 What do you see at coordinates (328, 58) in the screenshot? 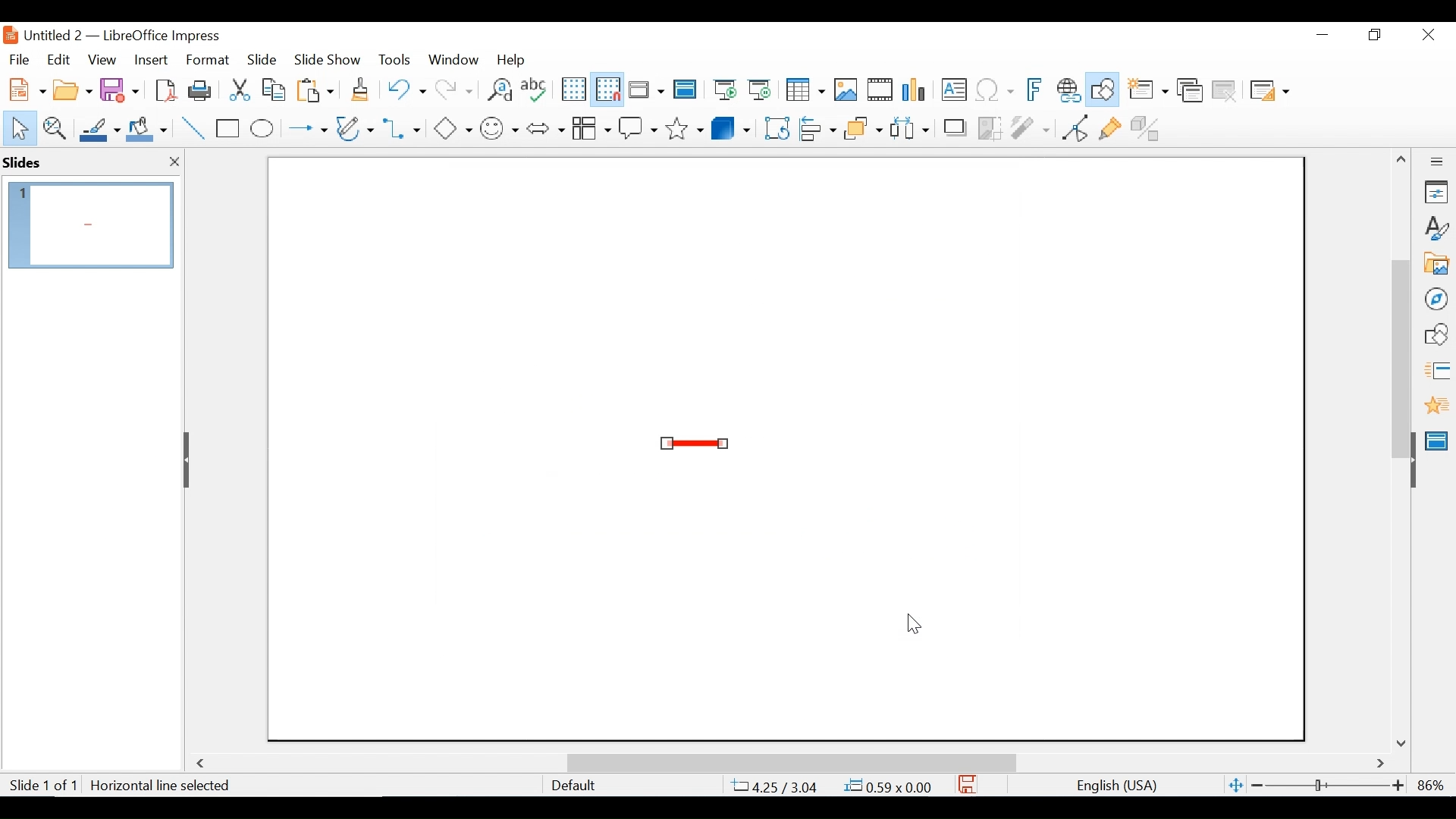
I see `Slide Show` at bounding box center [328, 58].